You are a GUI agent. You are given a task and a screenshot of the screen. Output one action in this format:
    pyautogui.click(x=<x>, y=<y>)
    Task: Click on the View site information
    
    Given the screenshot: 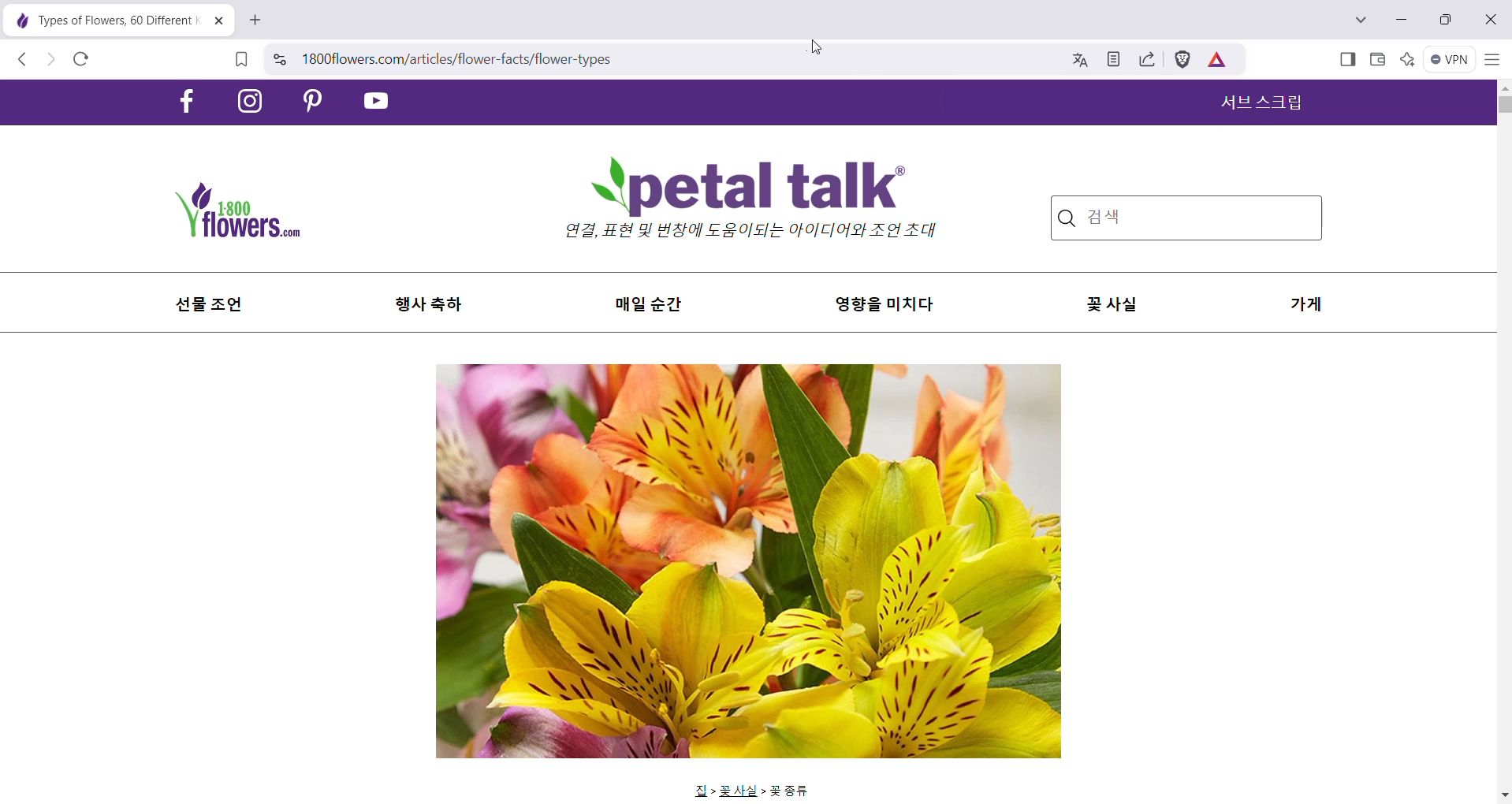 What is the action you would take?
    pyautogui.click(x=281, y=58)
    